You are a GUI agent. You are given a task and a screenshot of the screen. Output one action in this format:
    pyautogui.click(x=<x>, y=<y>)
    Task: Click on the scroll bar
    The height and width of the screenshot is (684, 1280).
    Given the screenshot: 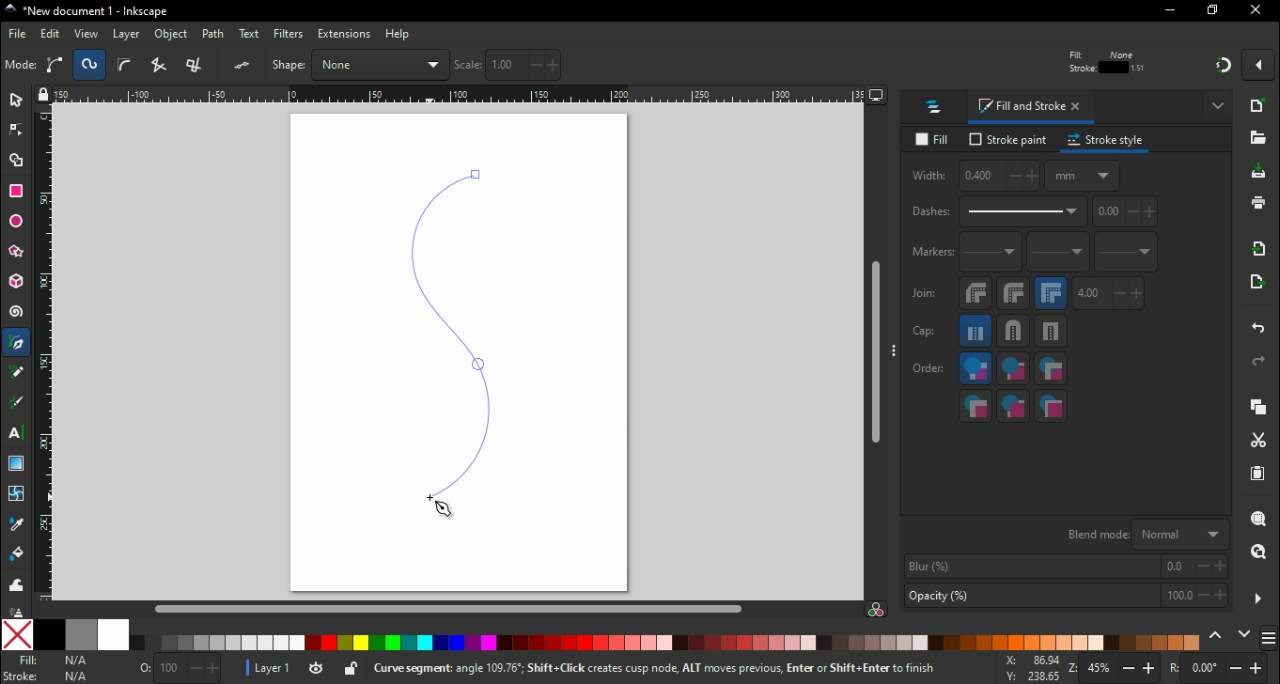 What is the action you would take?
    pyautogui.click(x=874, y=354)
    